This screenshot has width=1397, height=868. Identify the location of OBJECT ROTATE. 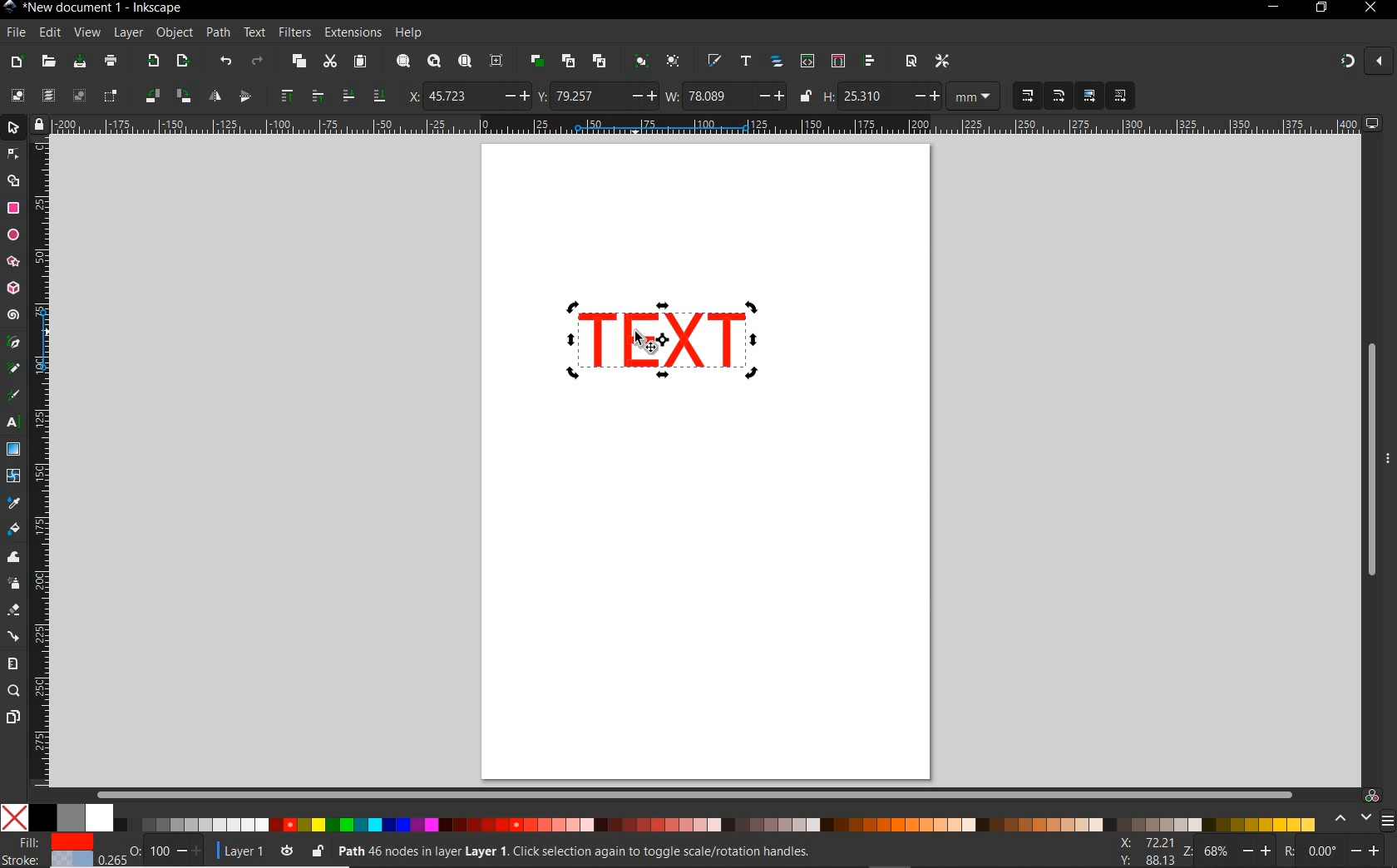
(167, 95).